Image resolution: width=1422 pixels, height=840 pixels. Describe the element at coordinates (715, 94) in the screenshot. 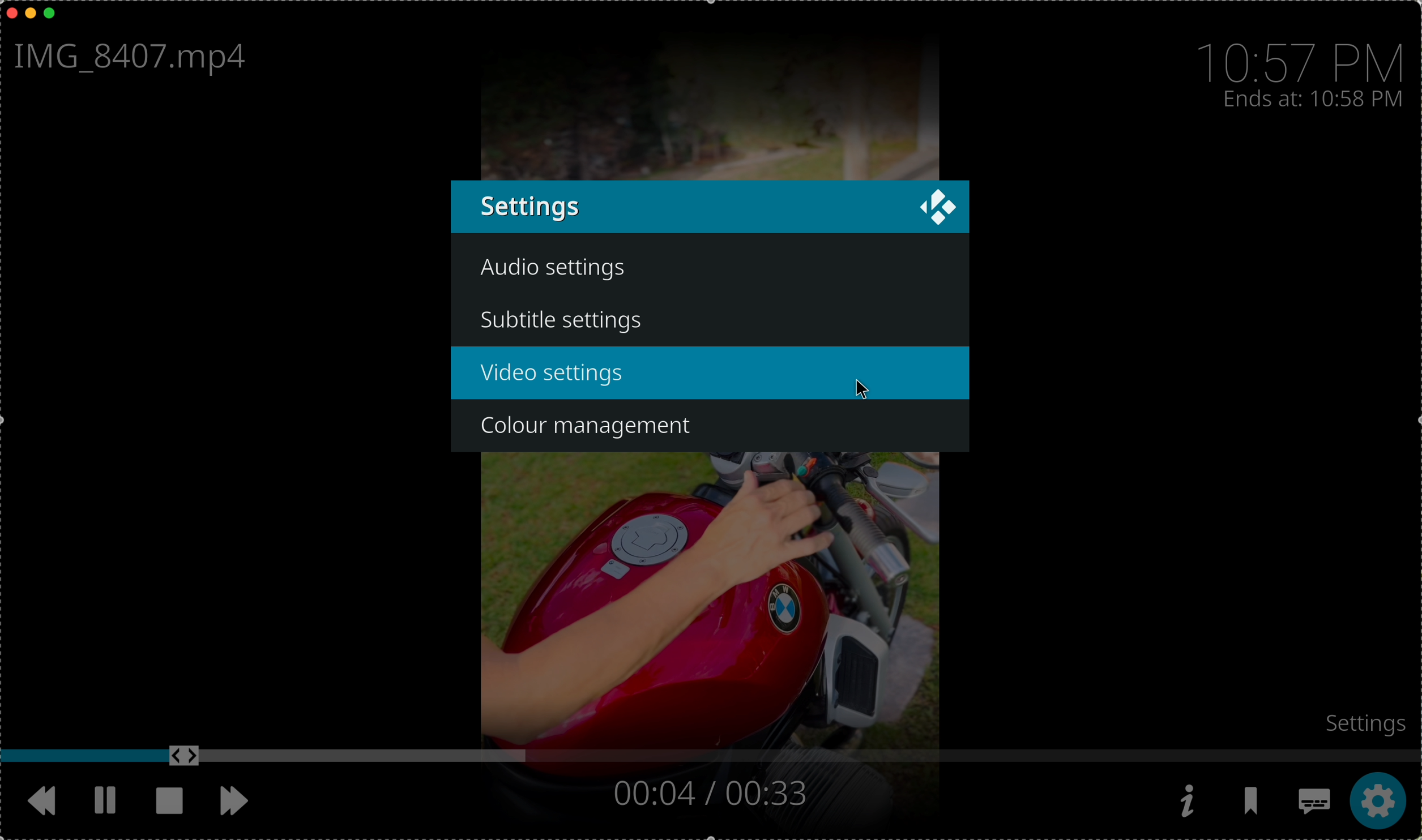

I see `video` at that location.